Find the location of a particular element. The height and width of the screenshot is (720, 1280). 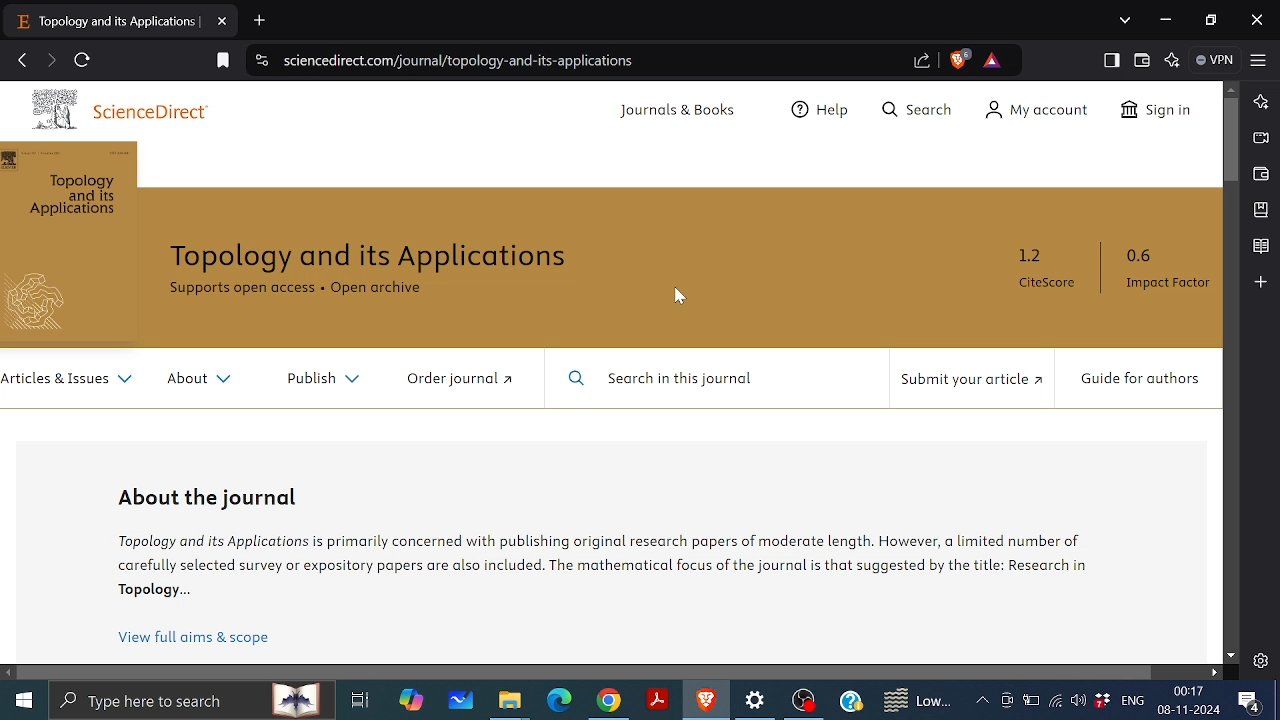

Close current tab is located at coordinates (223, 22).